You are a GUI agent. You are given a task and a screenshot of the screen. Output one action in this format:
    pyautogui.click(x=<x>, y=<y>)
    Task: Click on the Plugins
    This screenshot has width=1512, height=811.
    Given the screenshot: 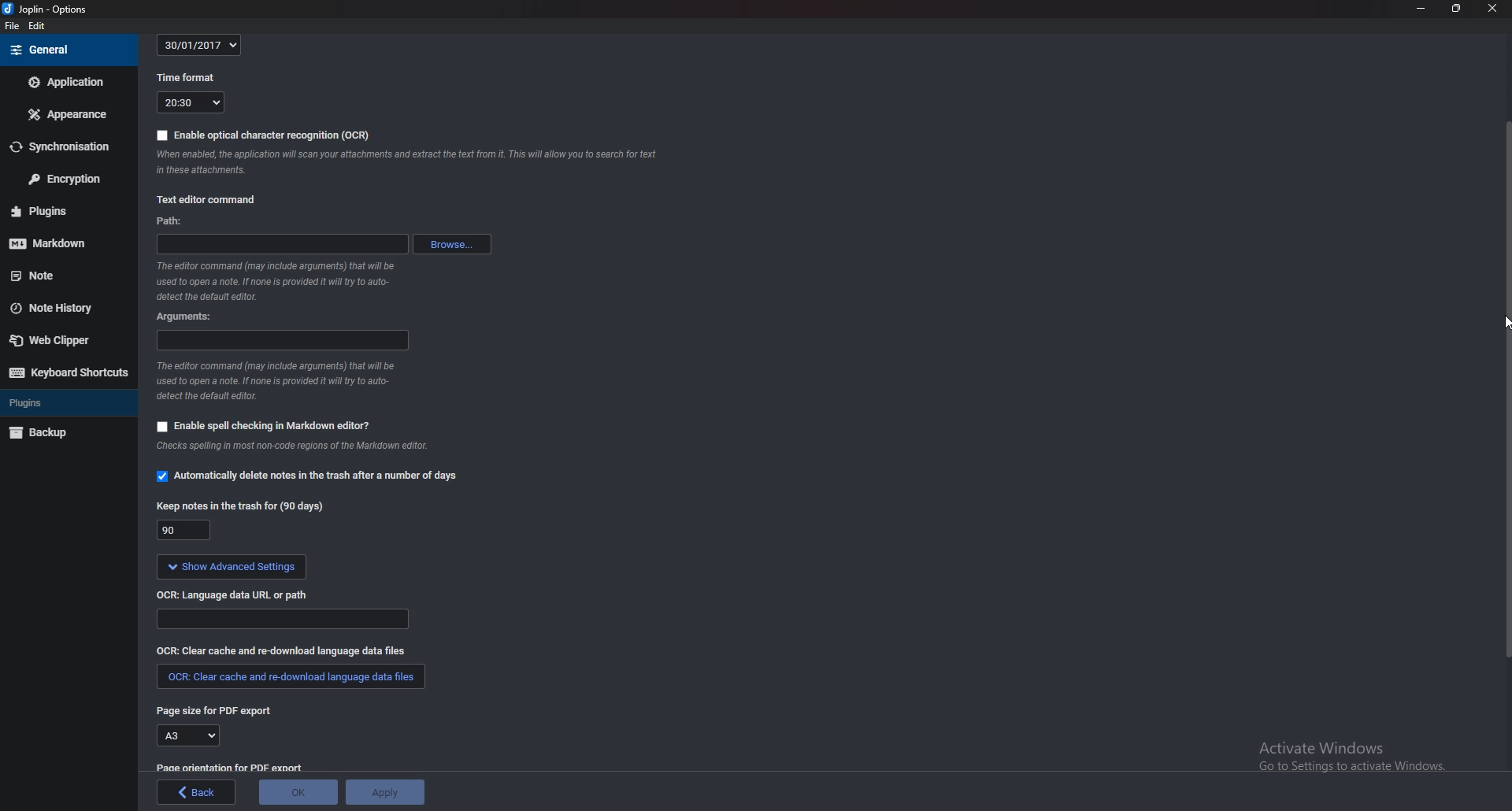 What is the action you would take?
    pyautogui.click(x=64, y=210)
    